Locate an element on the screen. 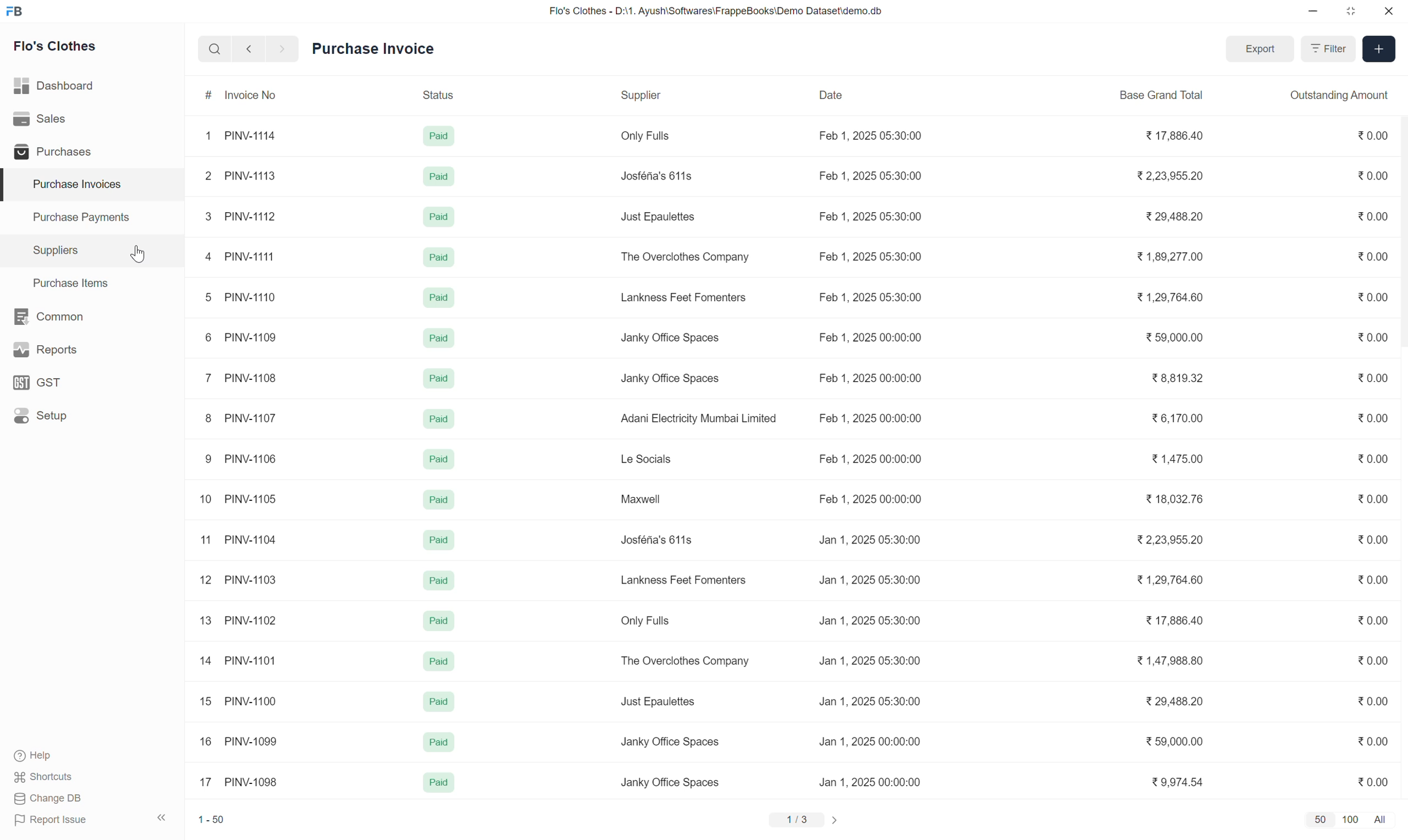  0.00 is located at coordinates (1371, 701).